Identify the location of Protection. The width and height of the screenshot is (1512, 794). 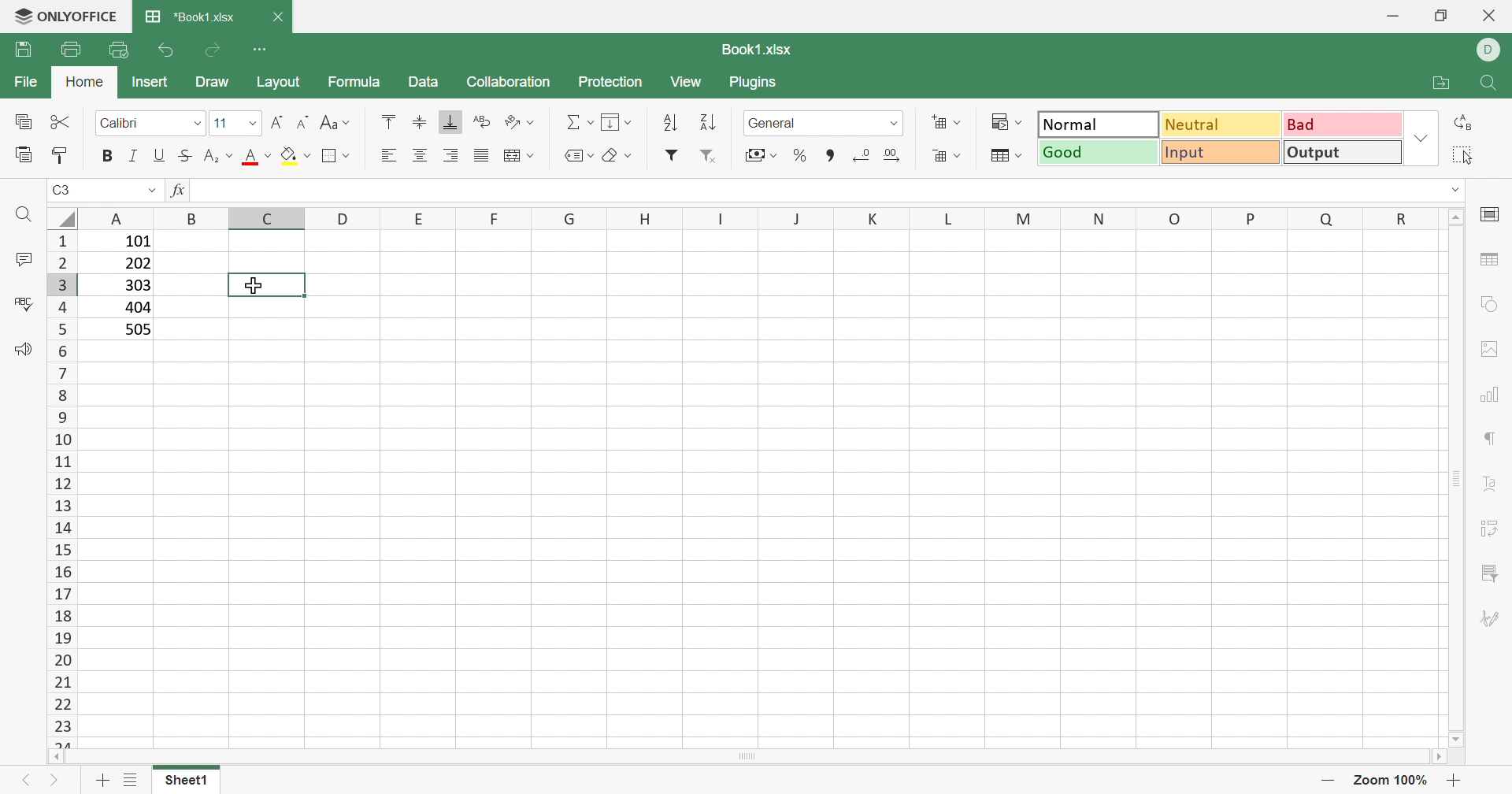
(609, 83).